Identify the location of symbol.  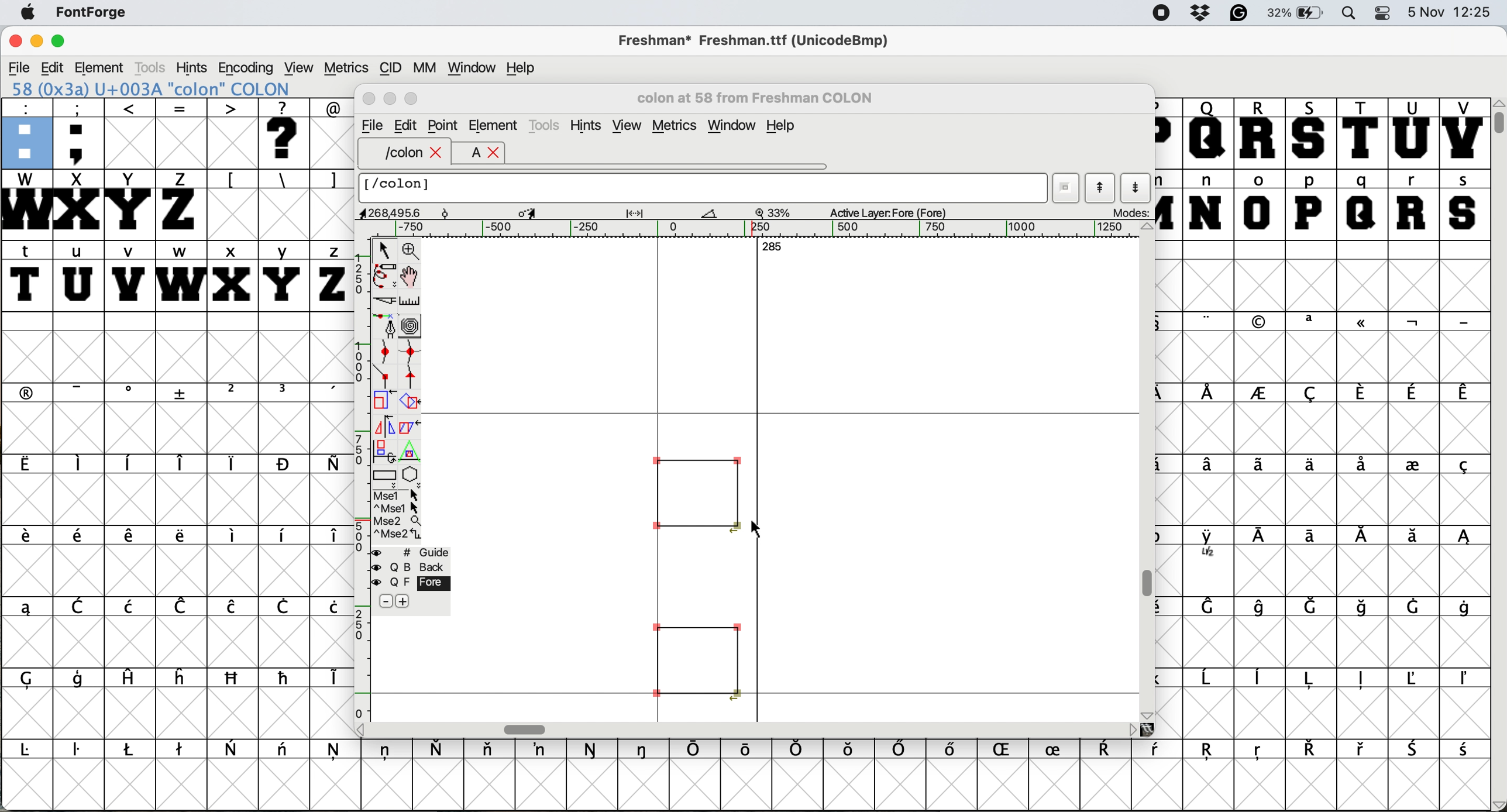
(1465, 607).